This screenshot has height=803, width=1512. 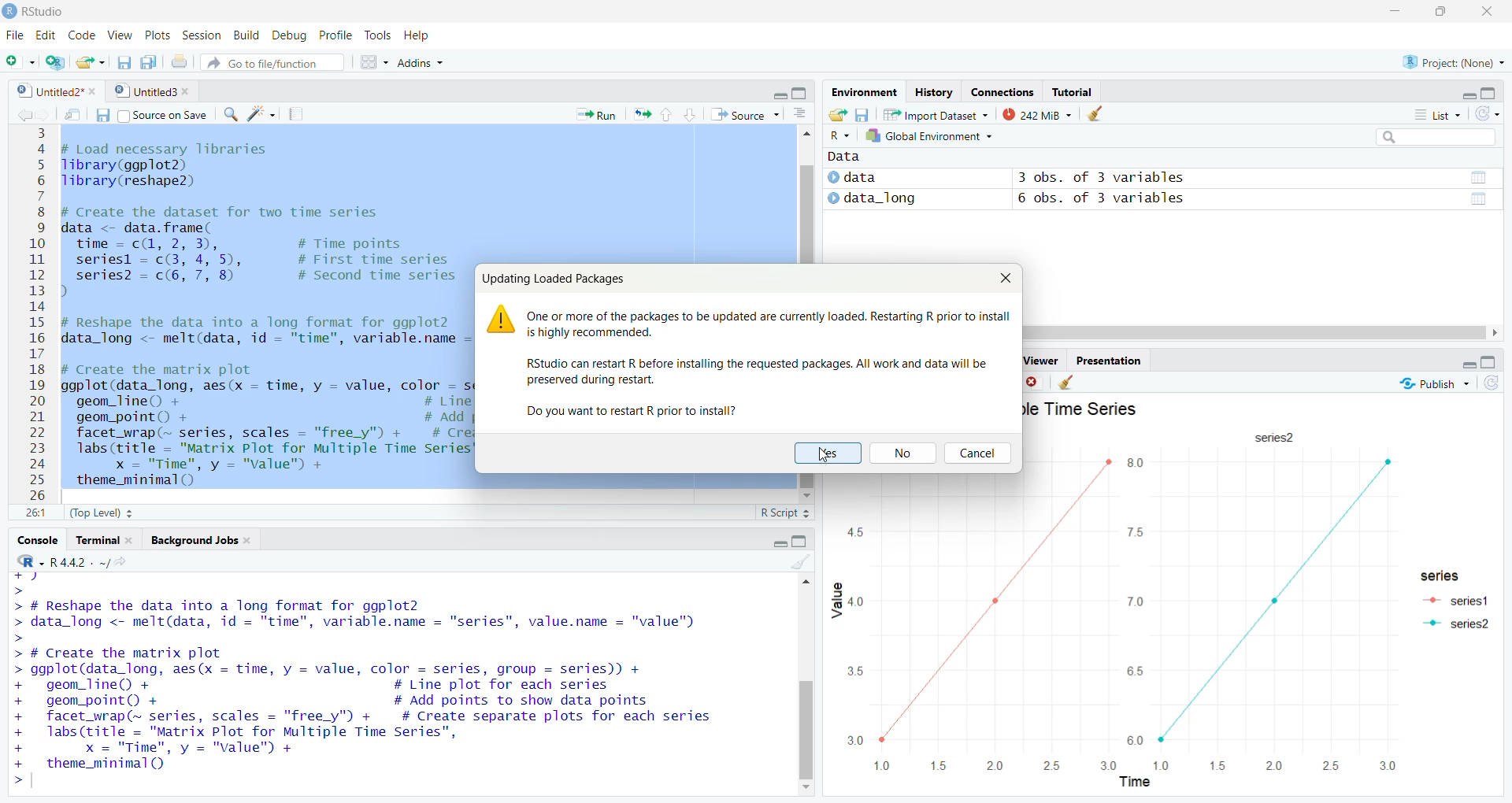 What do you see at coordinates (1035, 382) in the screenshot?
I see `close` at bounding box center [1035, 382].